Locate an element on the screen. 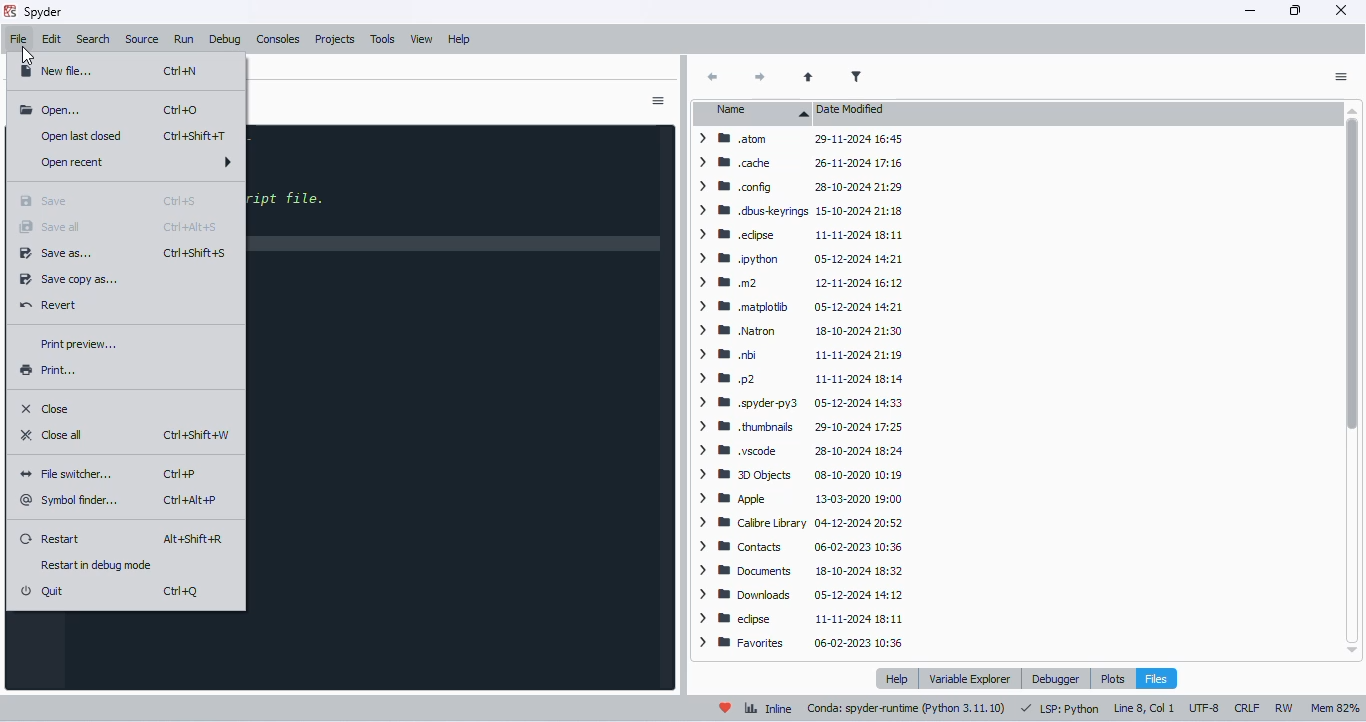 The width and height of the screenshot is (1366, 722). help spyder is located at coordinates (726, 708).